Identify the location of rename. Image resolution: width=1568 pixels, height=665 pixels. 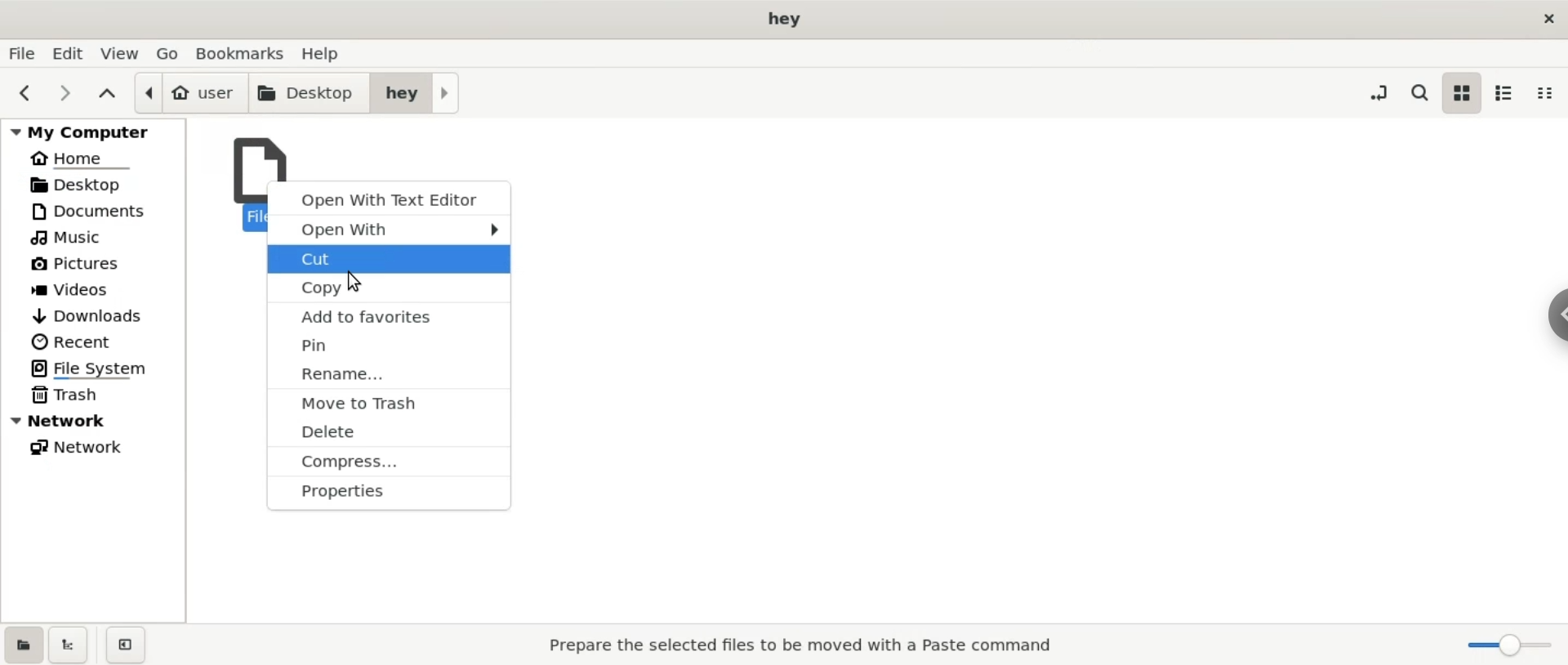
(389, 375).